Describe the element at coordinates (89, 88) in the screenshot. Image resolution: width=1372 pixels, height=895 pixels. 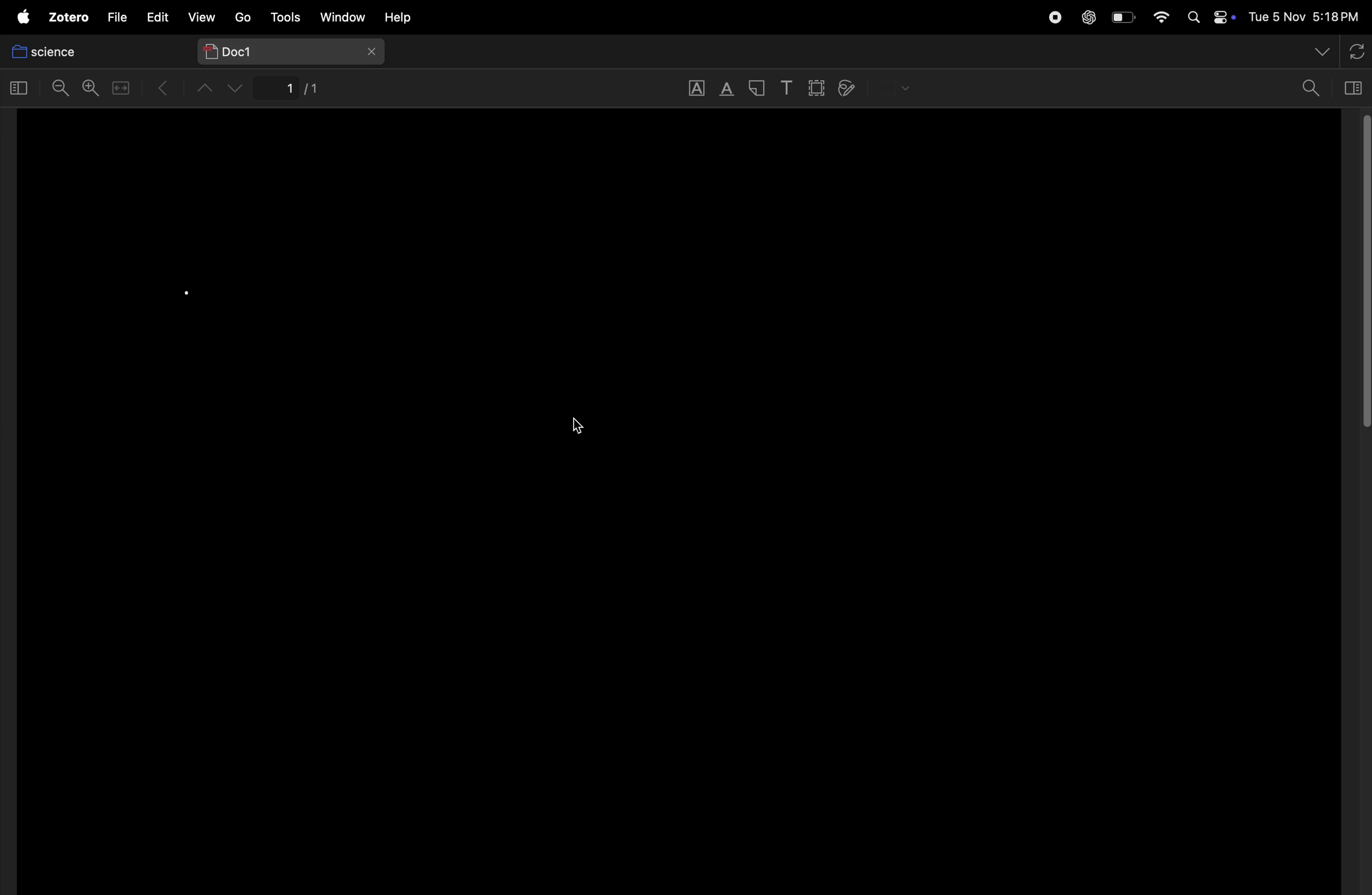
I see `zoom in` at that location.